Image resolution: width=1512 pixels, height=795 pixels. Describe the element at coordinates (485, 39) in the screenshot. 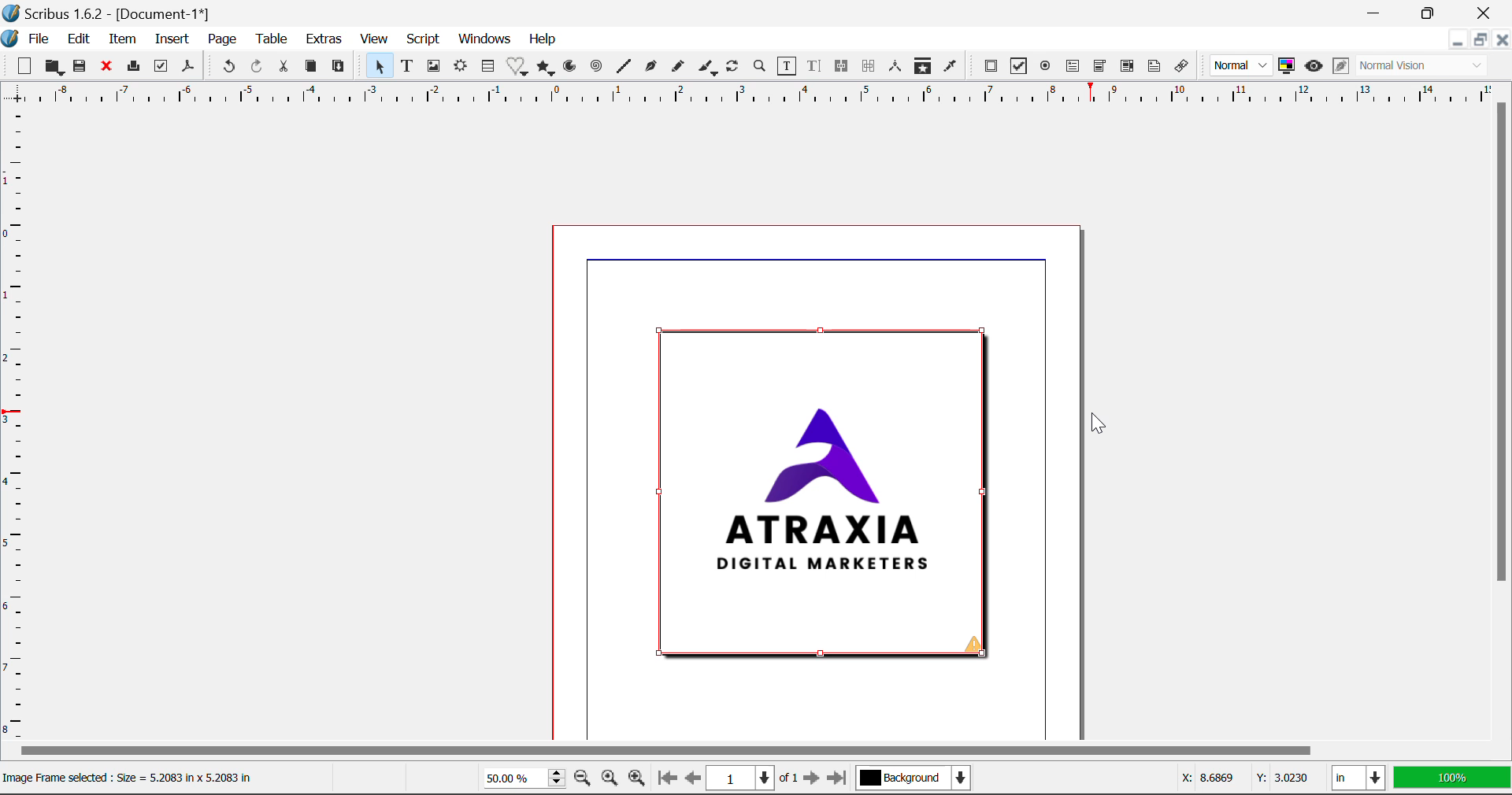

I see `Windows` at that location.